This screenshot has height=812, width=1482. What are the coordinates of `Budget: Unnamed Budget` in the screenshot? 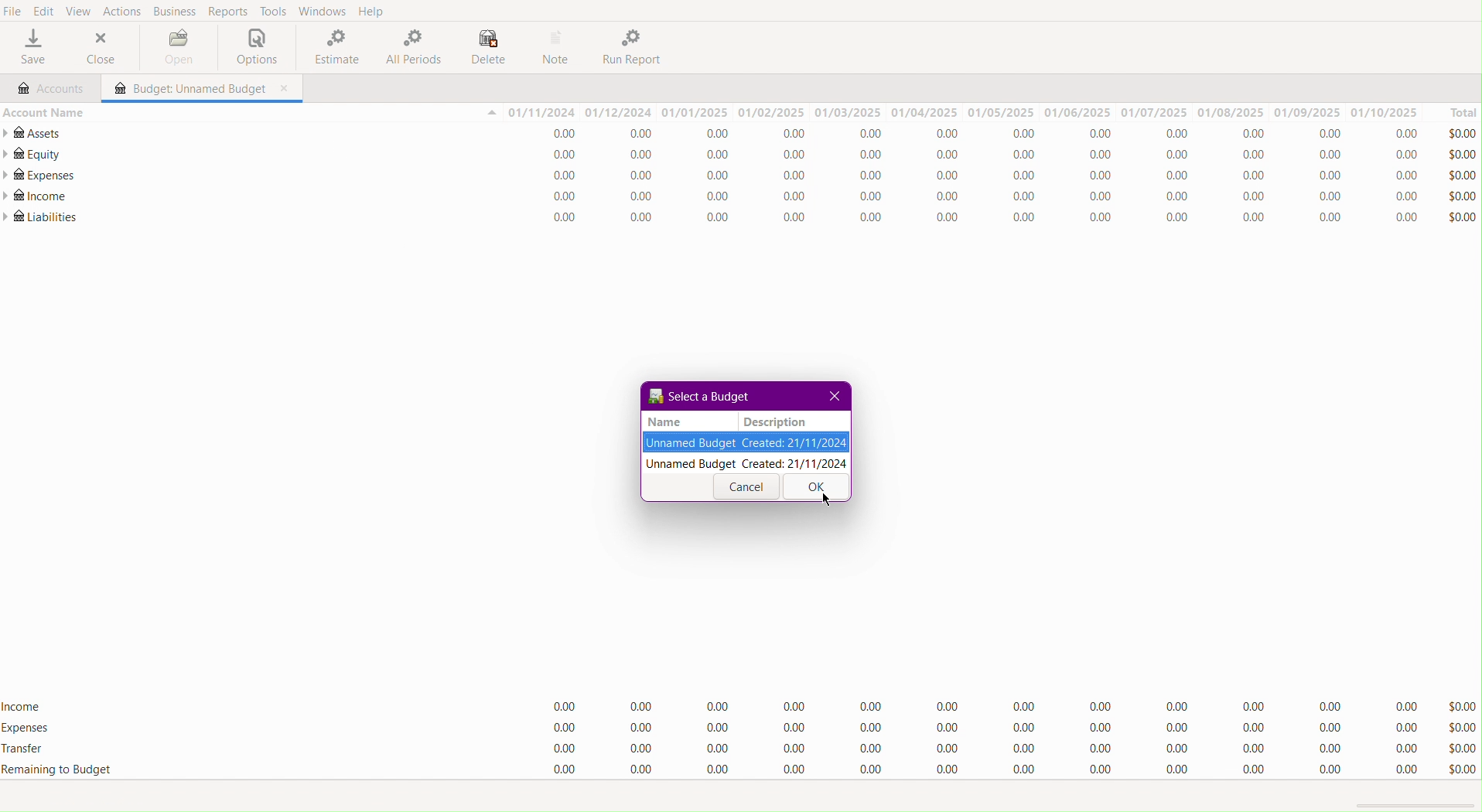 It's located at (186, 89).